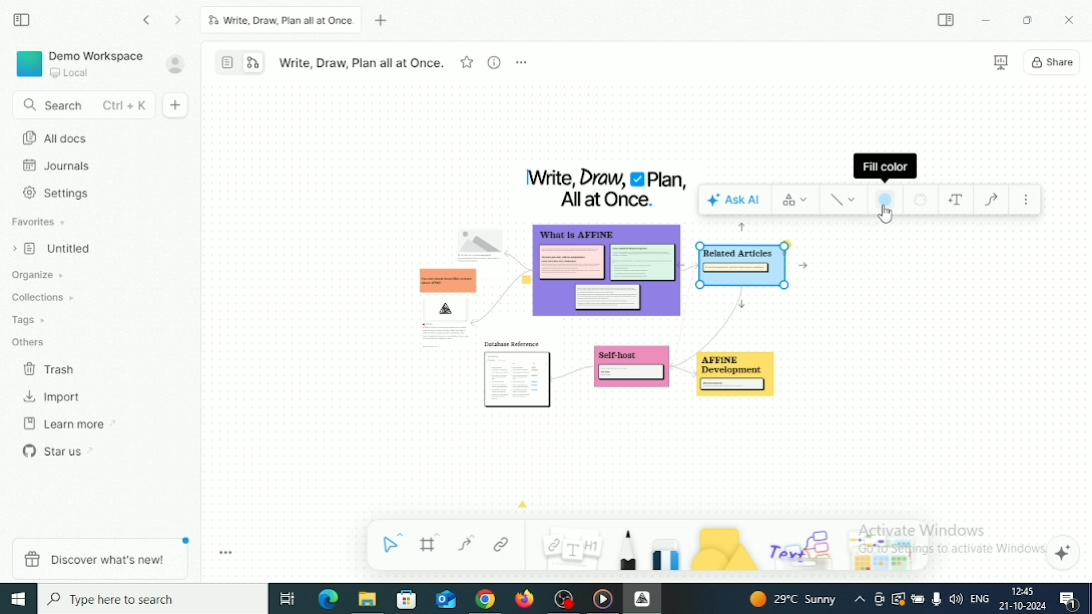 The height and width of the screenshot is (614, 1092). What do you see at coordinates (81, 63) in the screenshot?
I see `Demo Workspace` at bounding box center [81, 63].